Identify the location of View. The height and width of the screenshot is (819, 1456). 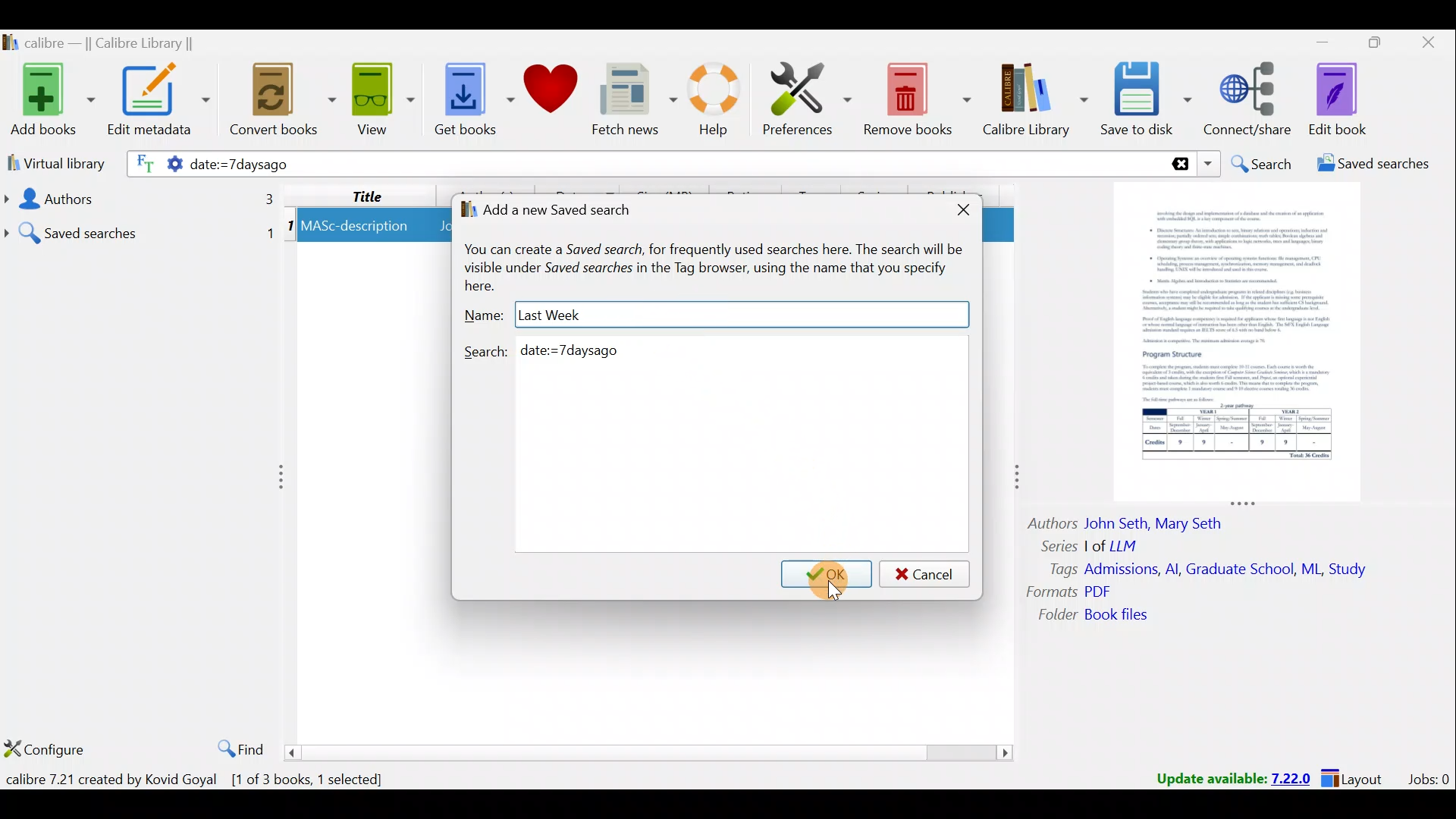
(379, 101).